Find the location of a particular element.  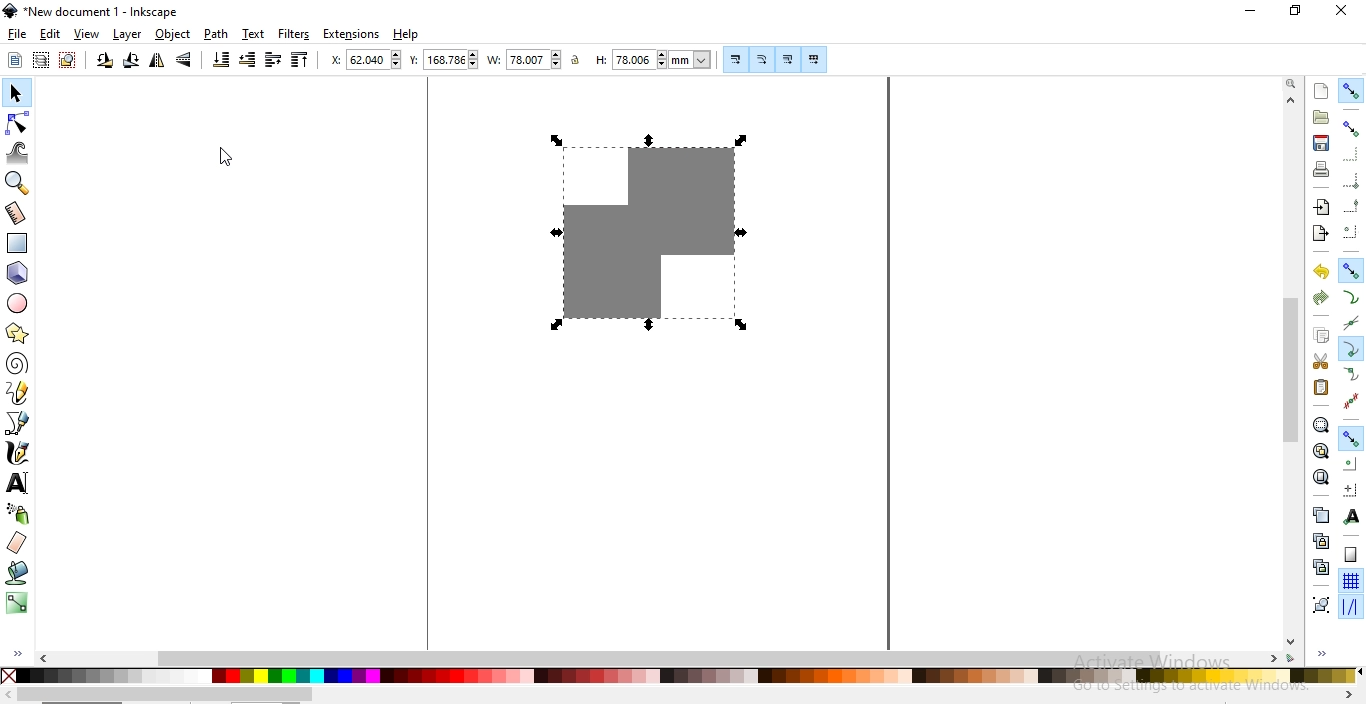

move gradient along with objects is located at coordinates (788, 60).